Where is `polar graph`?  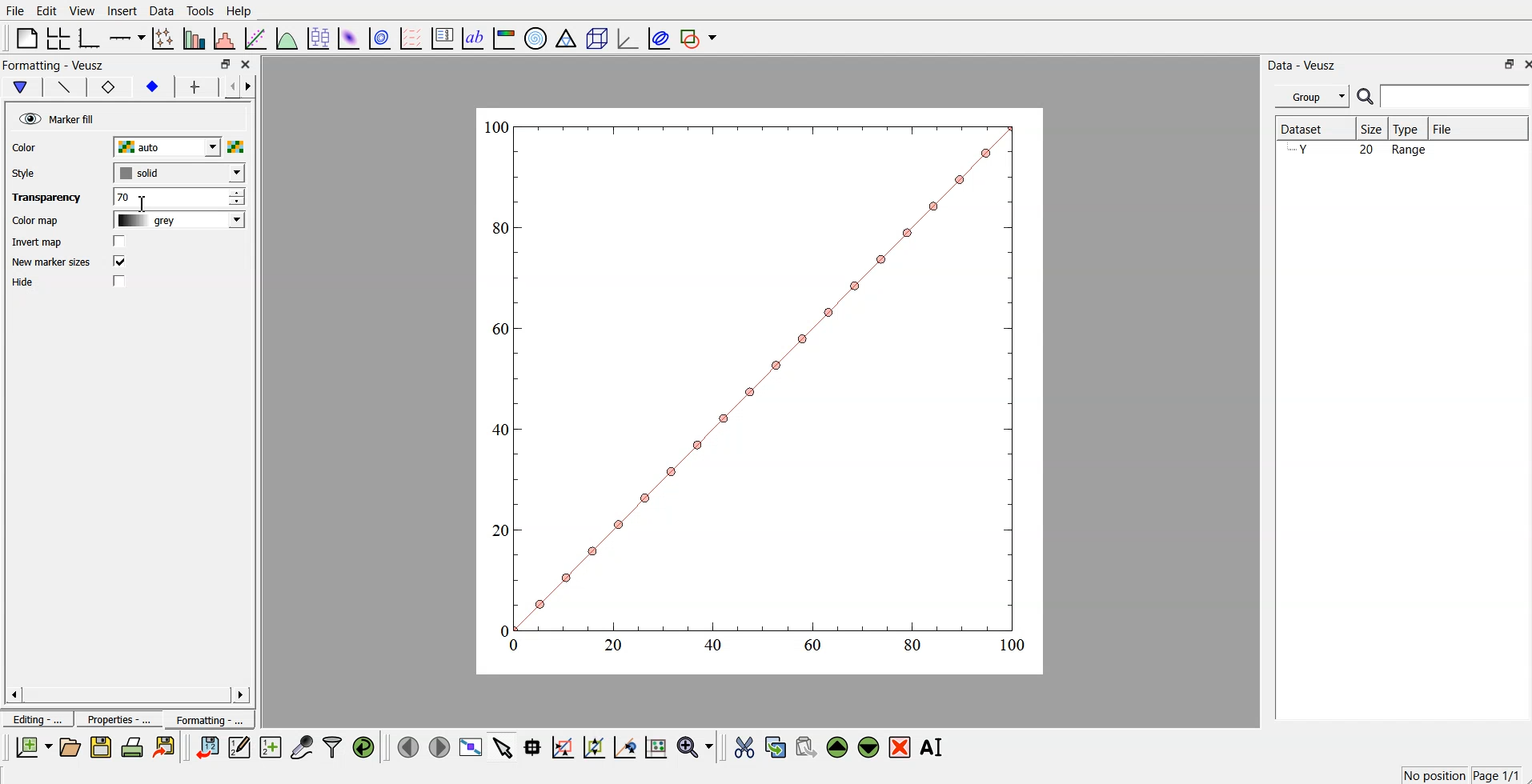
polar graph is located at coordinates (537, 37).